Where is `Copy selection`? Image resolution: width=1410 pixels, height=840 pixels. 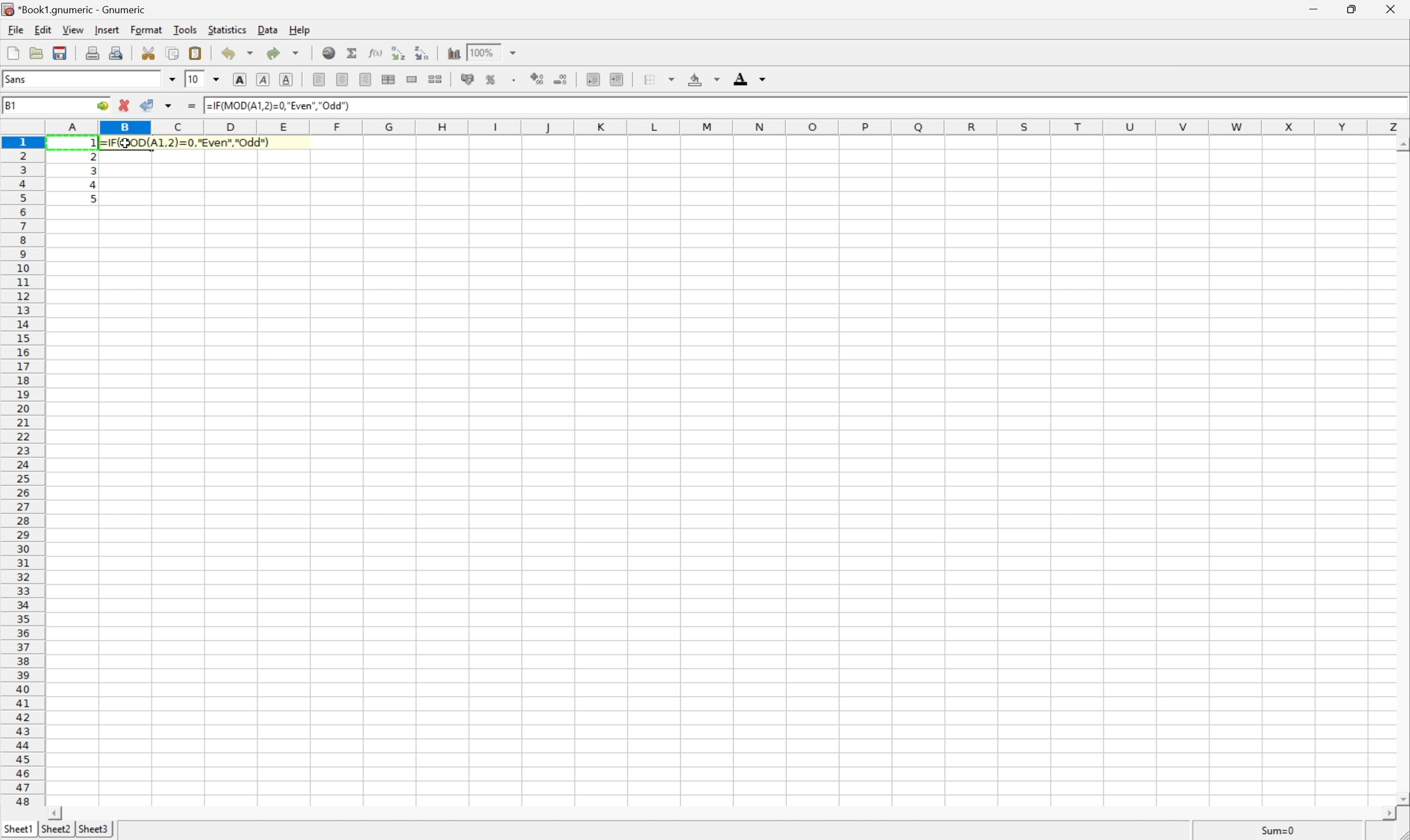
Copy selection is located at coordinates (172, 53).